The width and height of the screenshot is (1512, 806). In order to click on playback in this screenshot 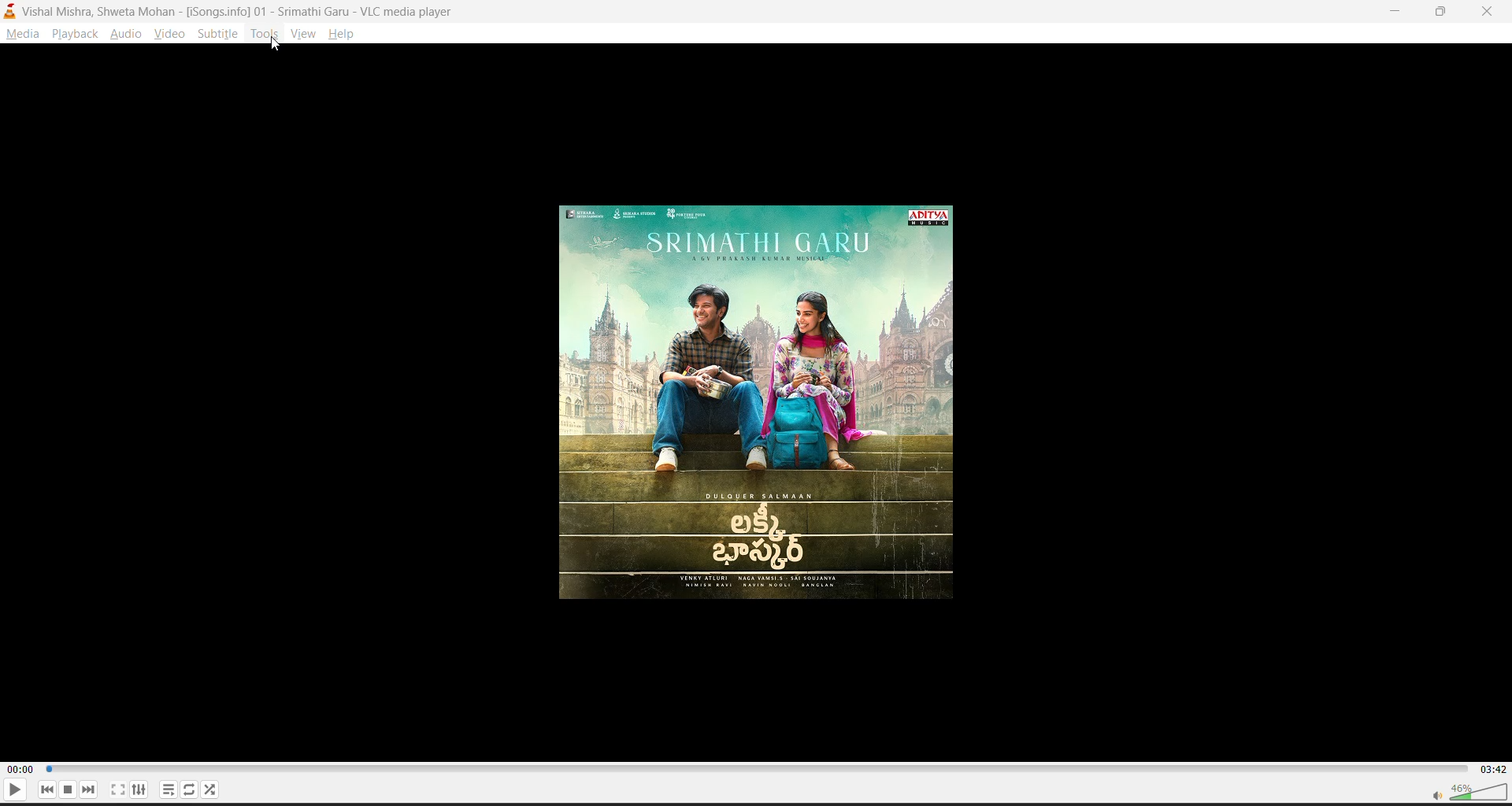, I will do `click(76, 35)`.